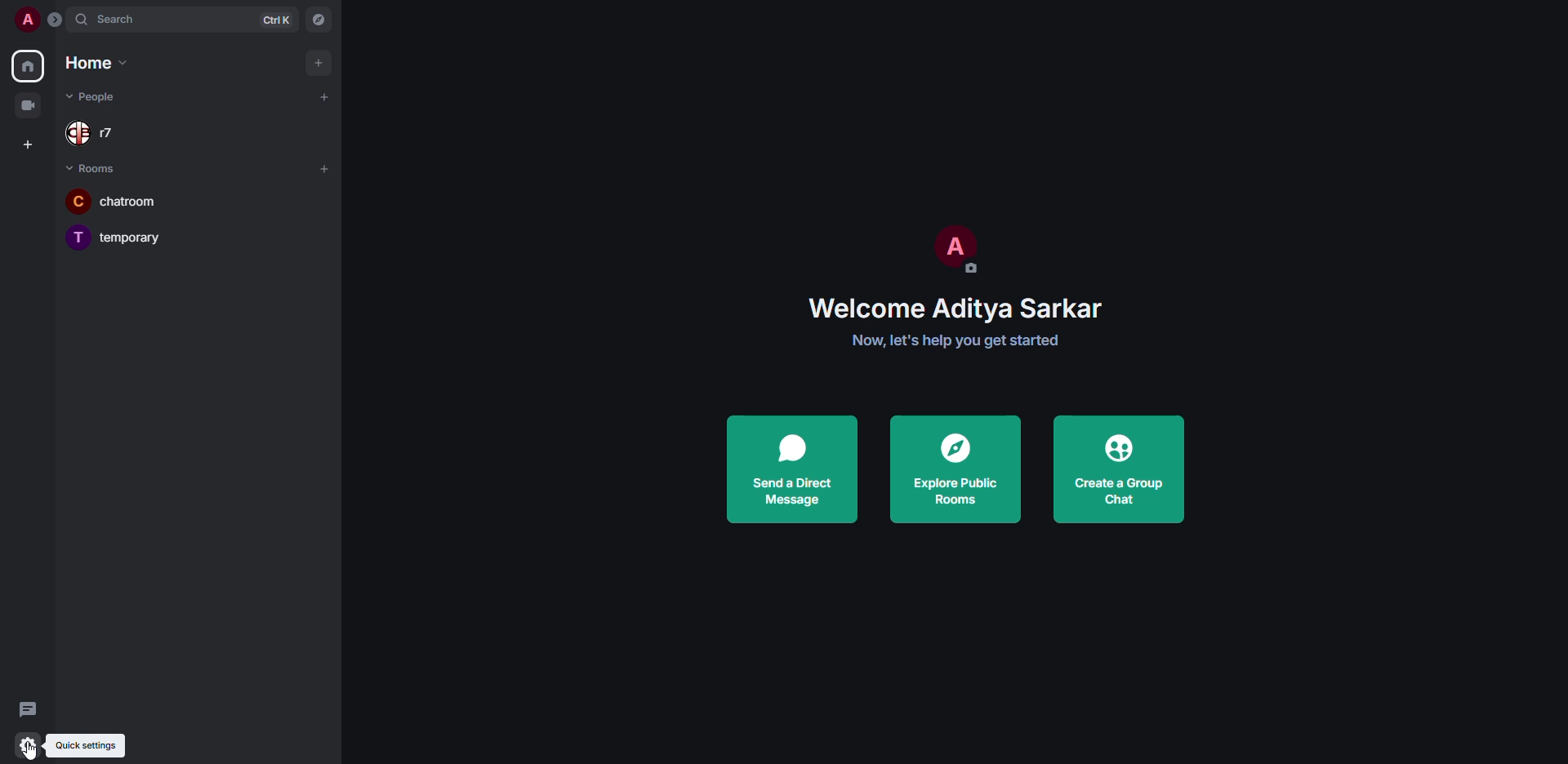 The width and height of the screenshot is (1568, 764). What do you see at coordinates (30, 142) in the screenshot?
I see `create space` at bounding box center [30, 142].